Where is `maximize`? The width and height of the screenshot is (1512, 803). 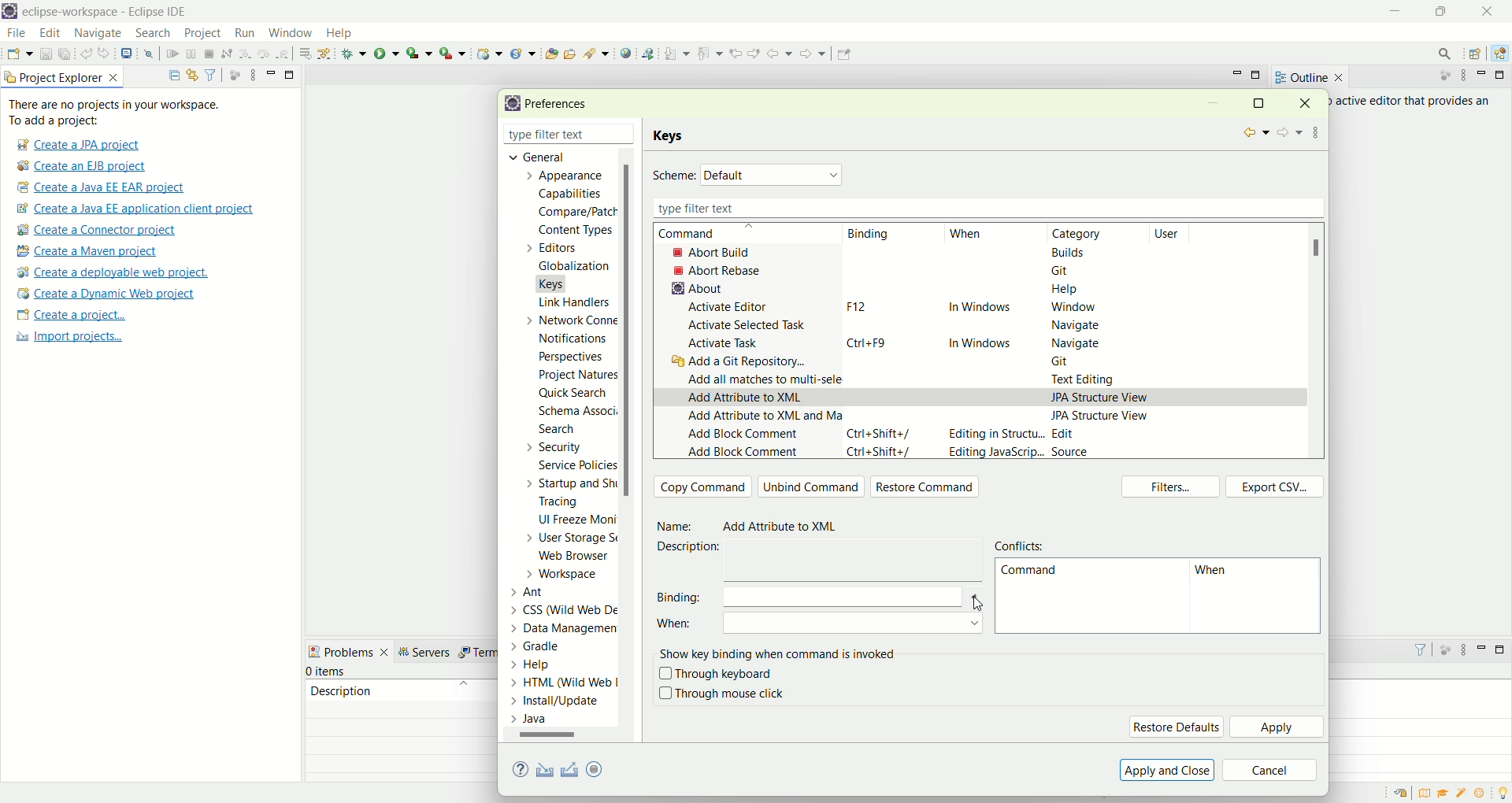
maximize is located at coordinates (1258, 76).